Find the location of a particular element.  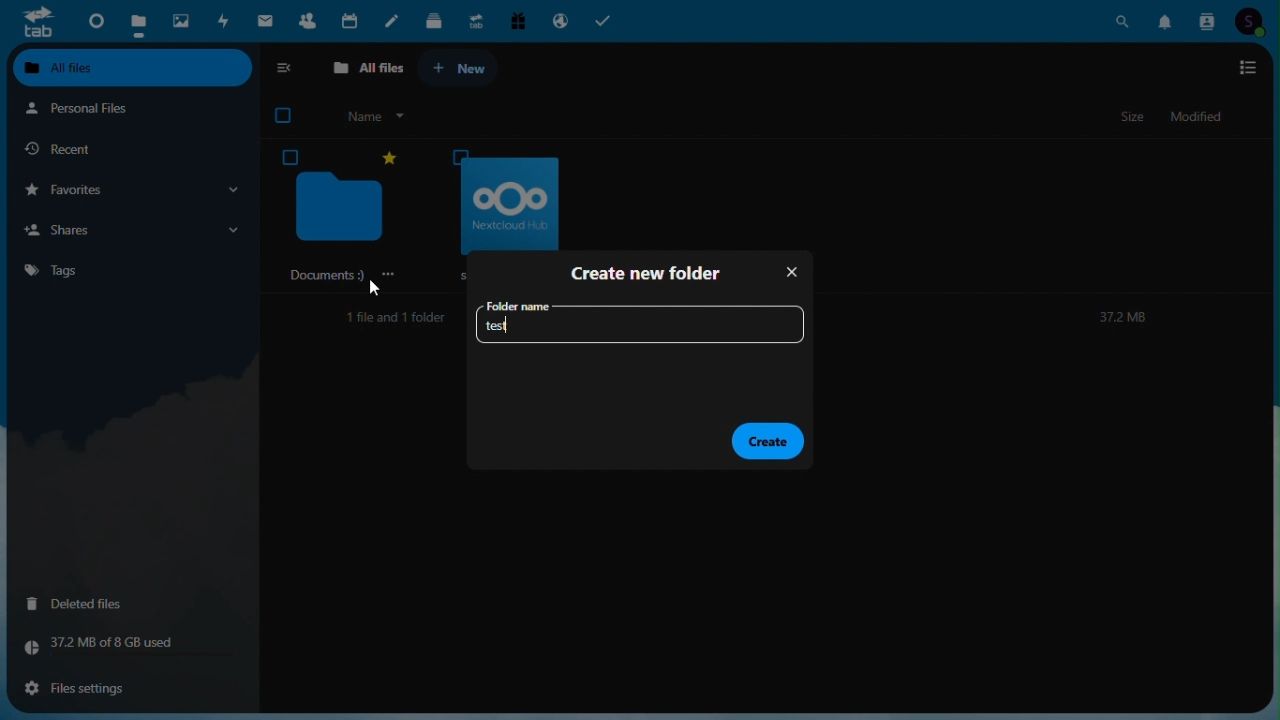

‘Documents 9) is located at coordinates (345, 217).